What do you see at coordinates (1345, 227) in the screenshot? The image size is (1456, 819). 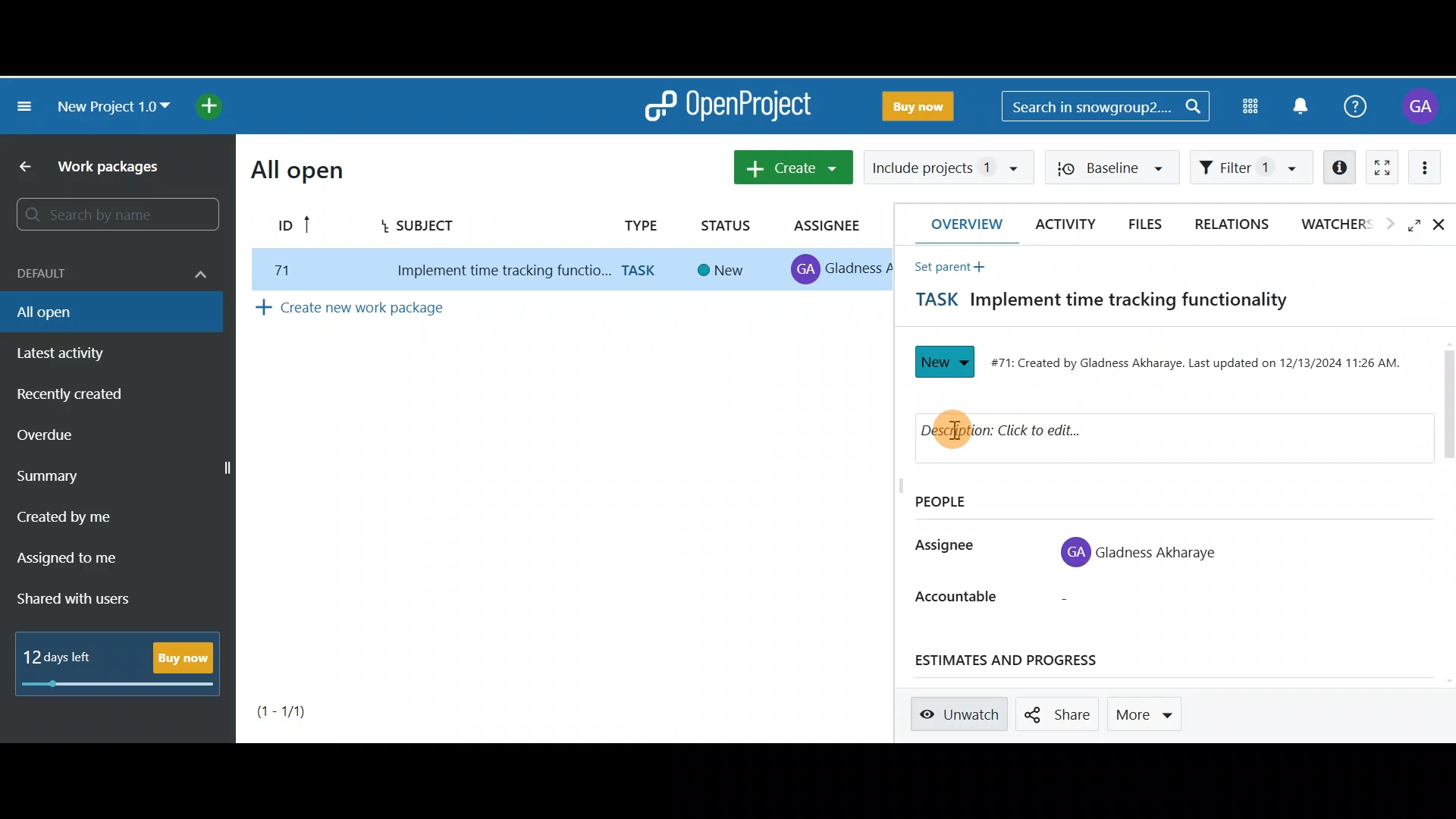 I see `Watchers` at bounding box center [1345, 227].